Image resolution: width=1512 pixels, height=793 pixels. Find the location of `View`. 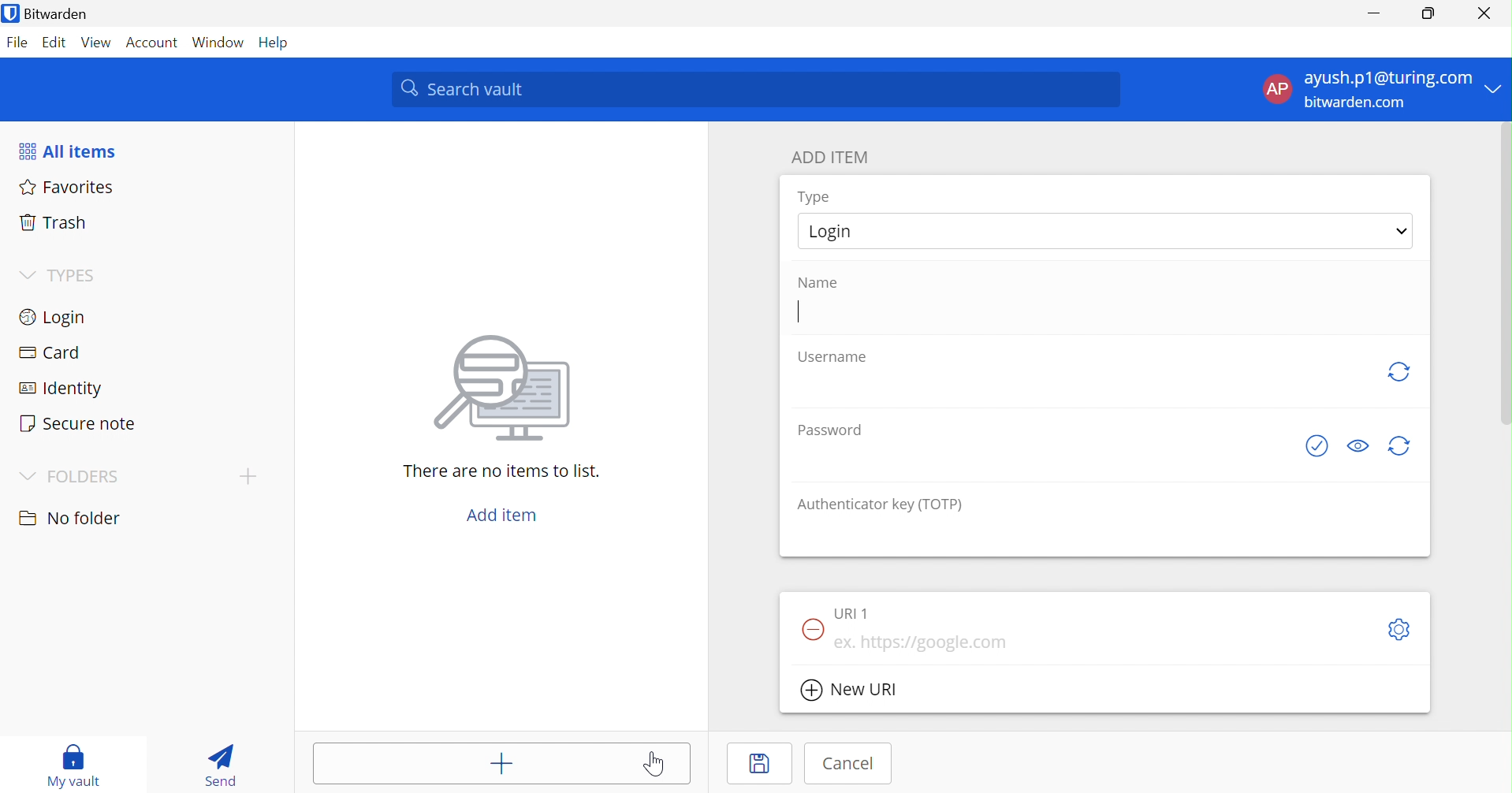

View is located at coordinates (96, 43).